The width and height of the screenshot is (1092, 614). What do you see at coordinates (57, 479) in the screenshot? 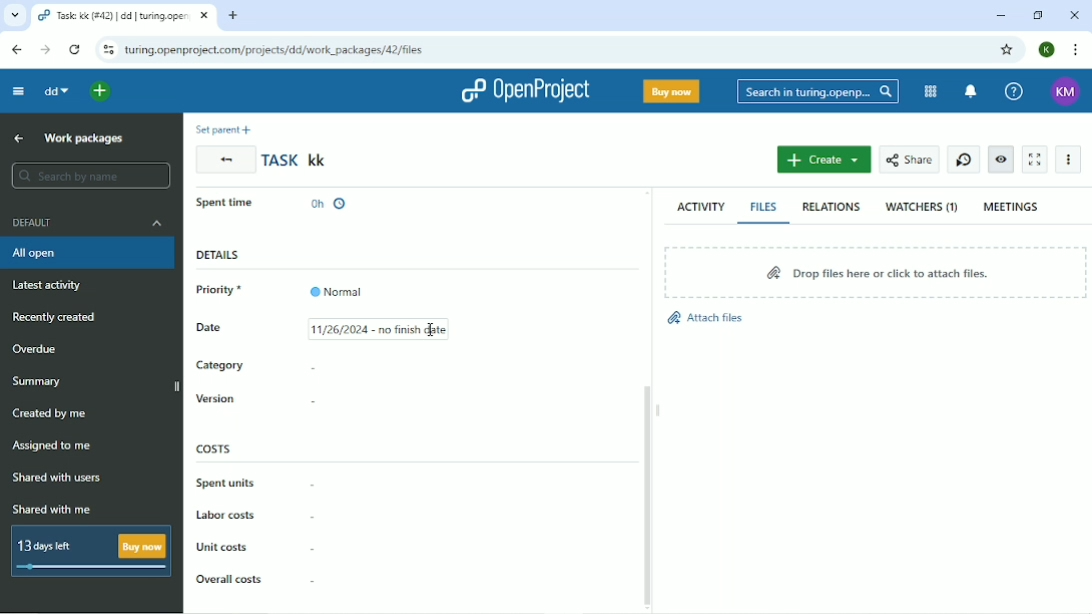
I see `Shared with users` at bounding box center [57, 479].